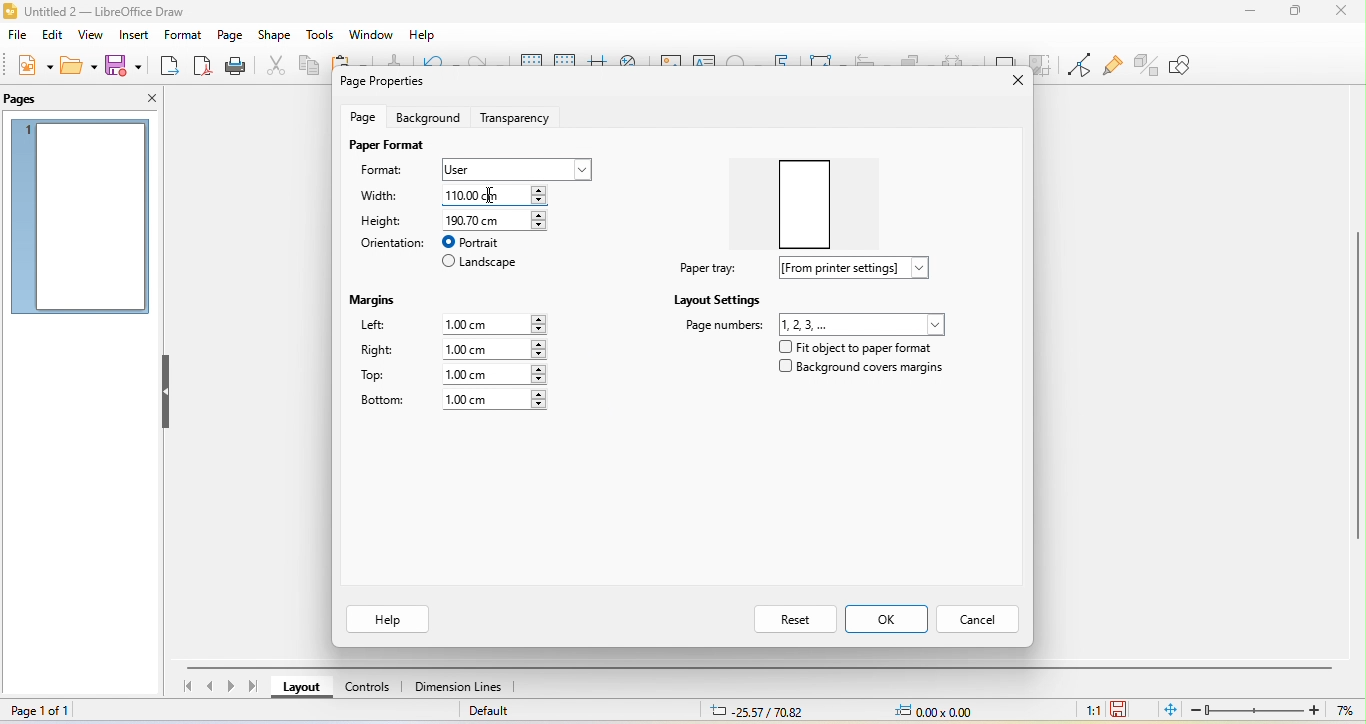 The image size is (1366, 724). I want to click on toggle point edit mode, so click(1078, 65).